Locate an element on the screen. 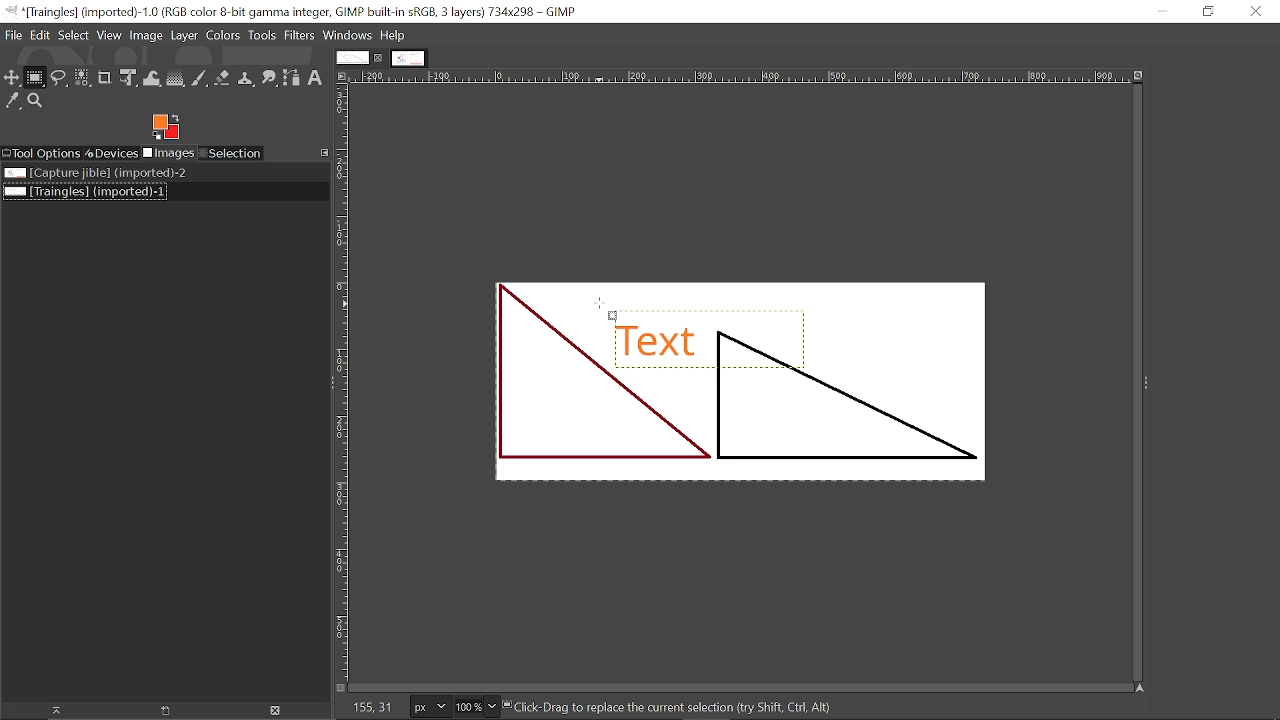 This screenshot has width=1280, height=720. vertical label is located at coordinates (343, 384).